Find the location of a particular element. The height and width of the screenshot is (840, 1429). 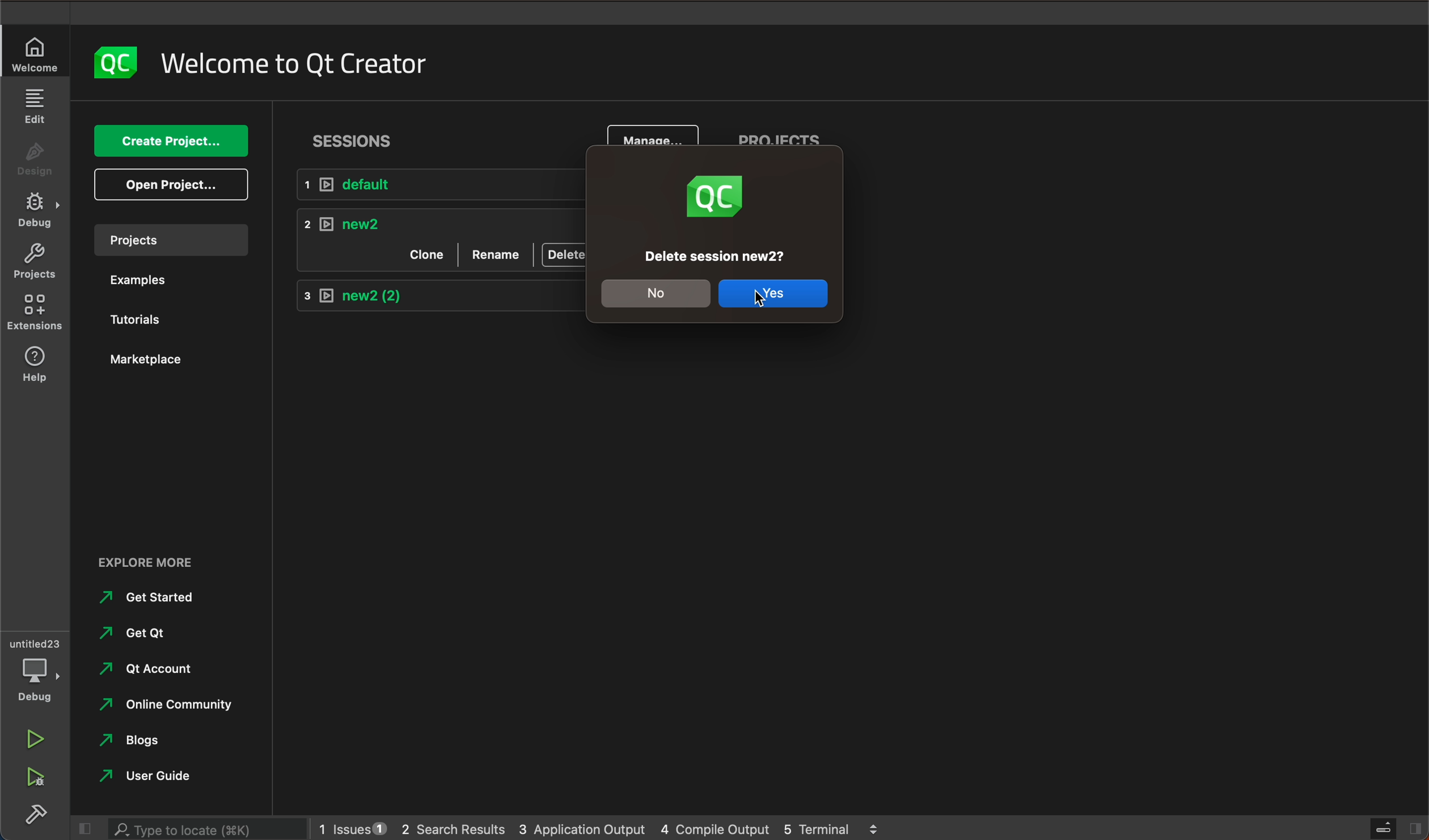

user guide is located at coordinates (154, 778).